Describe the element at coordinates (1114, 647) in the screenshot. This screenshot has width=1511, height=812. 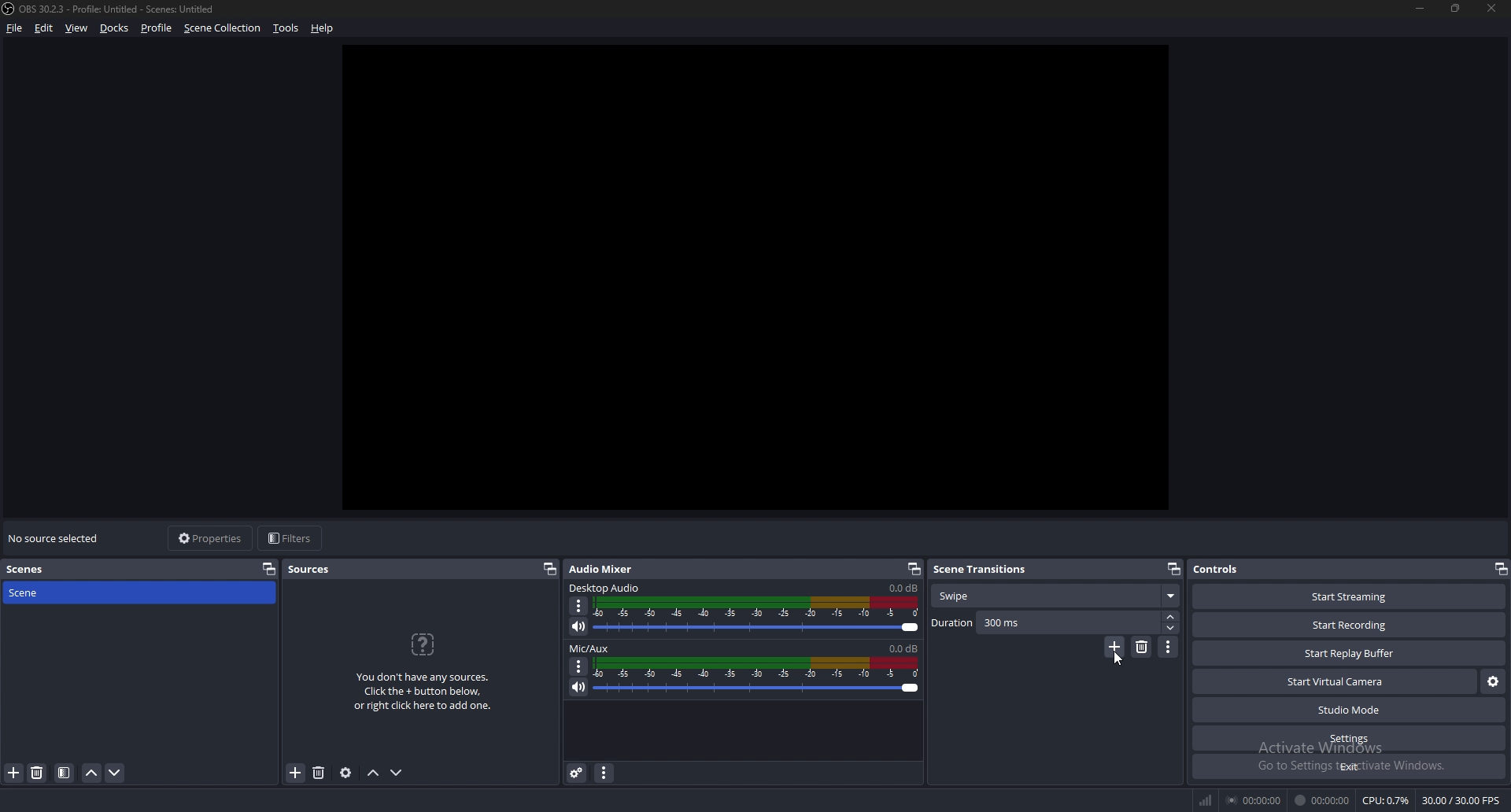
I see `add transition` at that location.